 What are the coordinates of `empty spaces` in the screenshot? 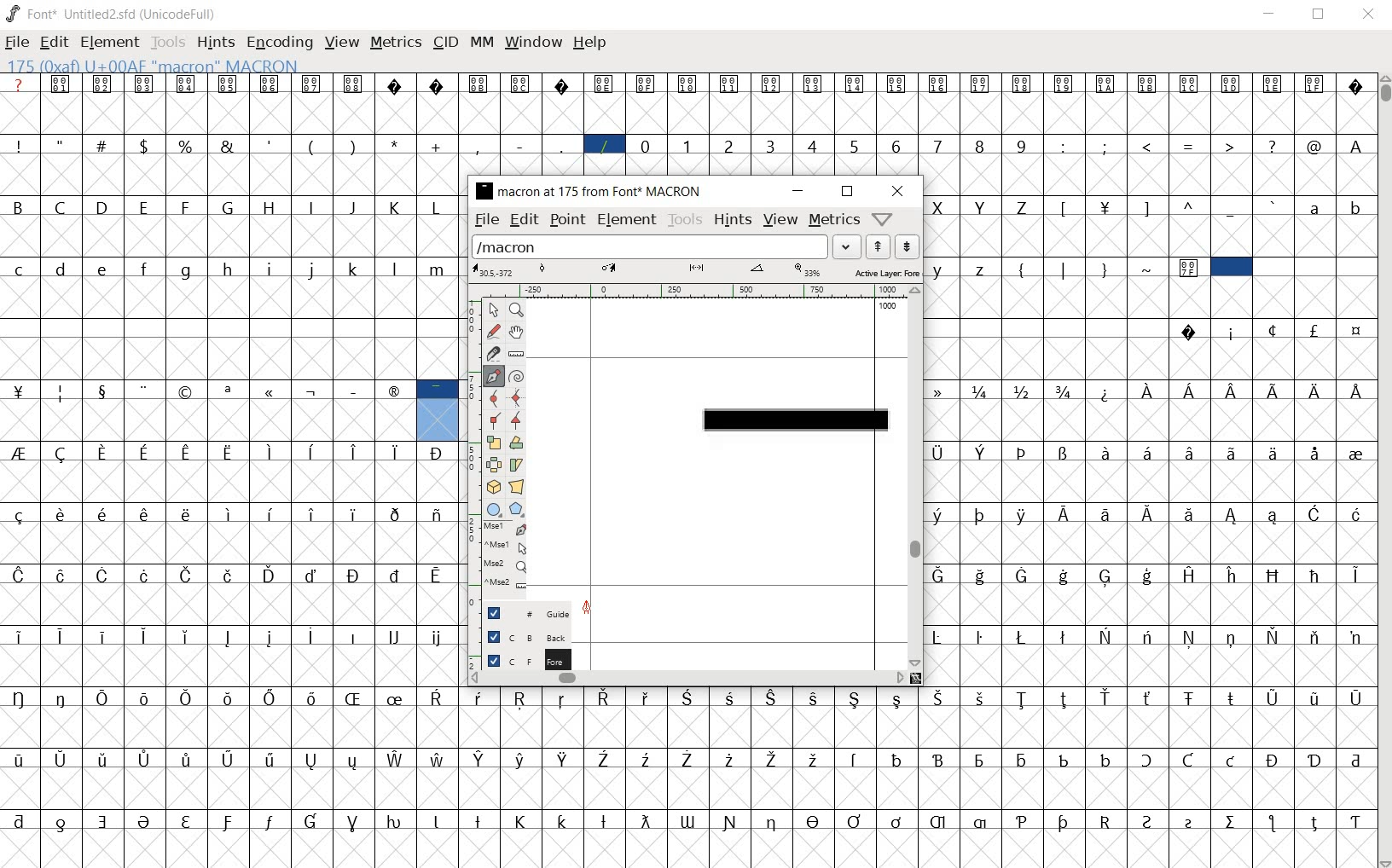 It's located at (1314, 267).